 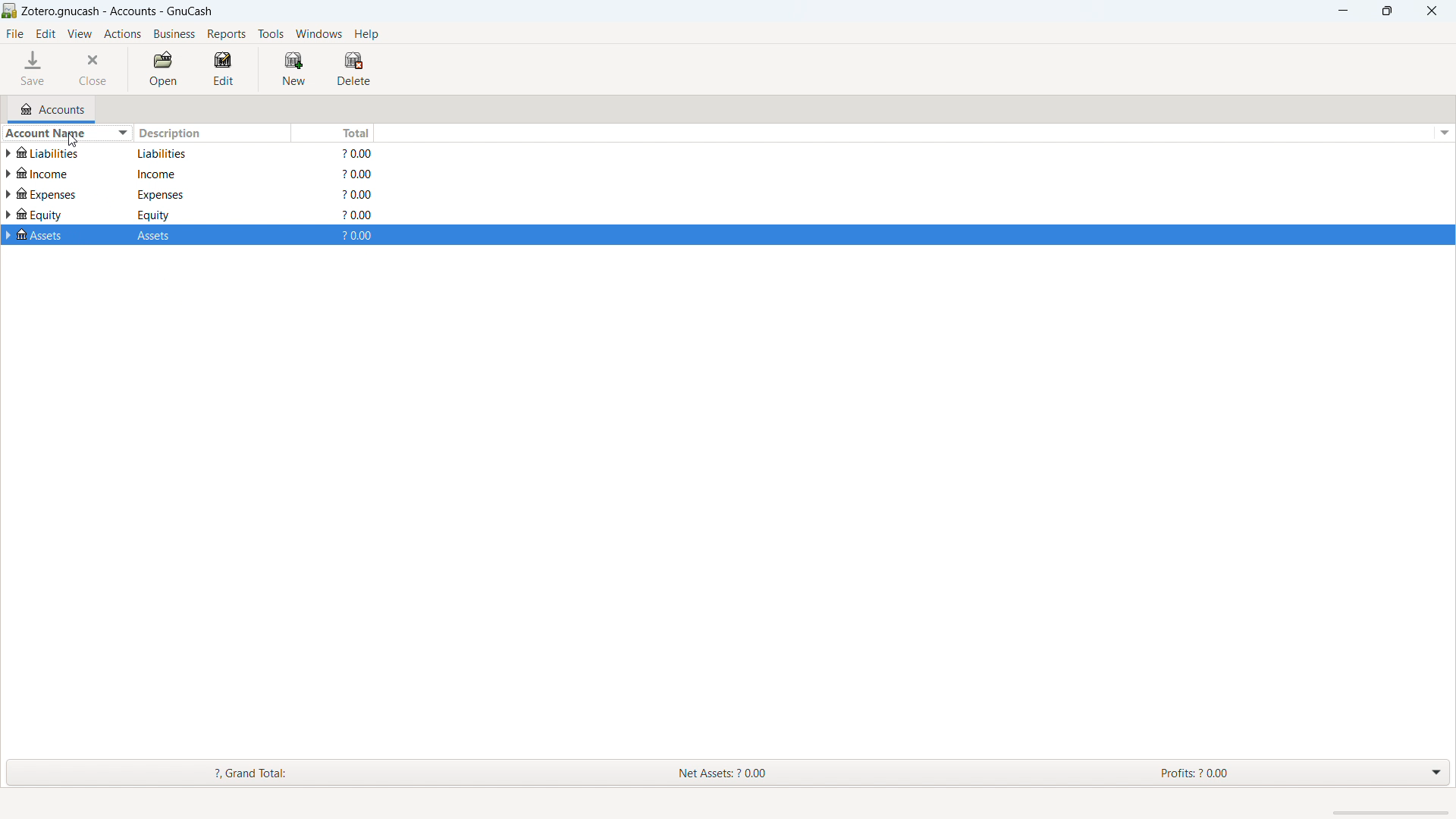 I want to click on cursor, so click(x=67, y=143).